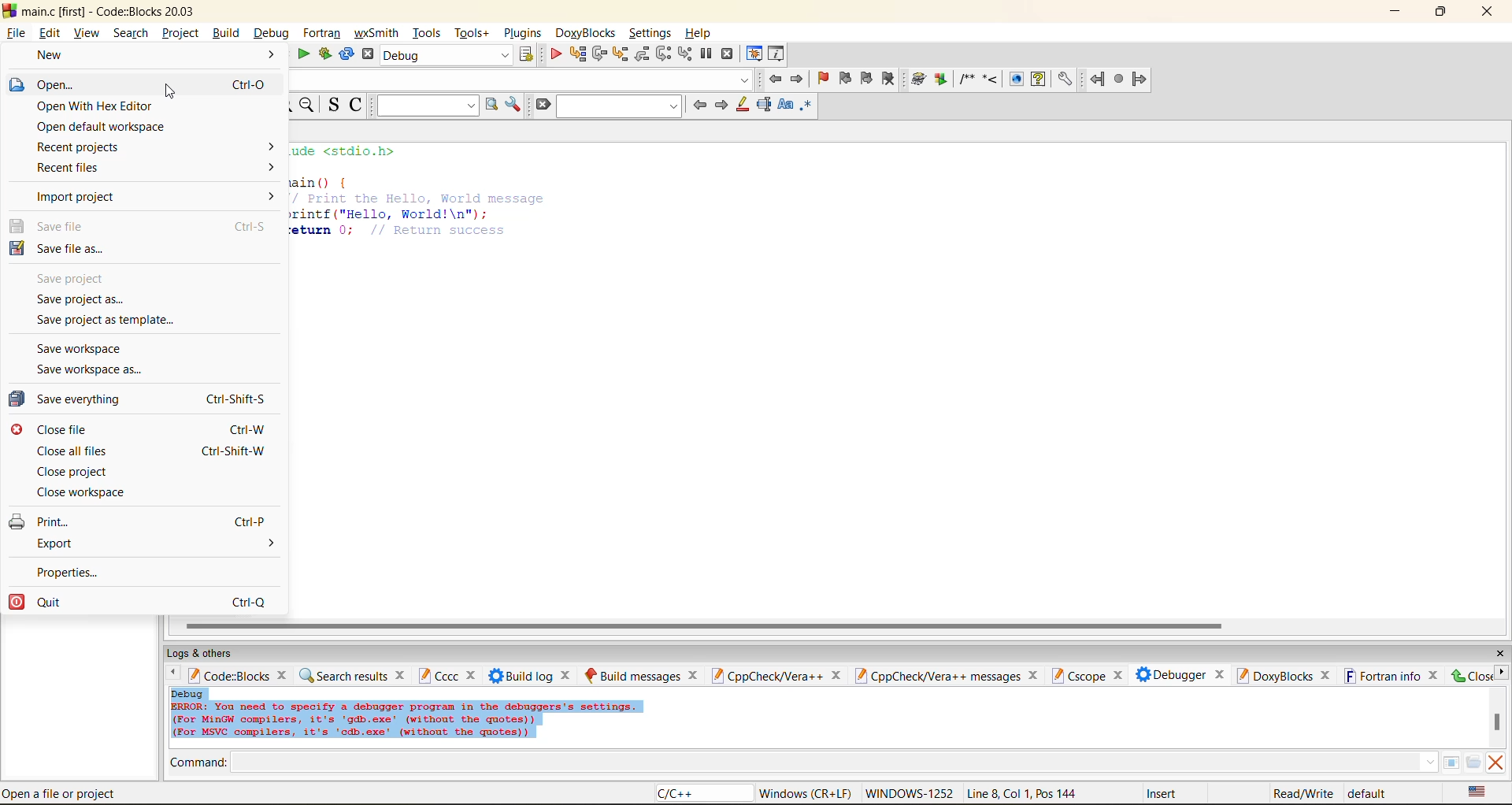 Image resolution: width=1512 pixels, height=805 pixels. I want to click on close, so click(473, 676).